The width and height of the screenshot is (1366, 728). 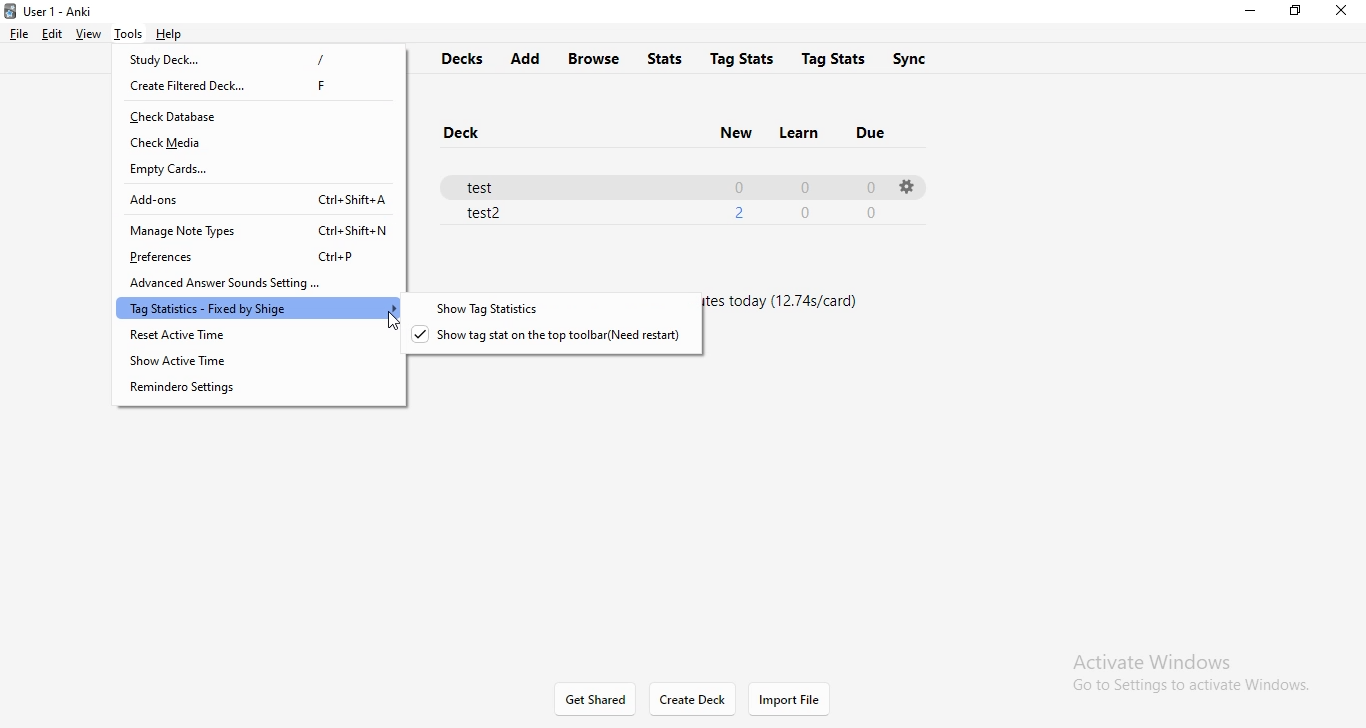 What do you see at coordinates (128, 32) in the screenshot?
I see `tools` at bounding box center [128, 32].